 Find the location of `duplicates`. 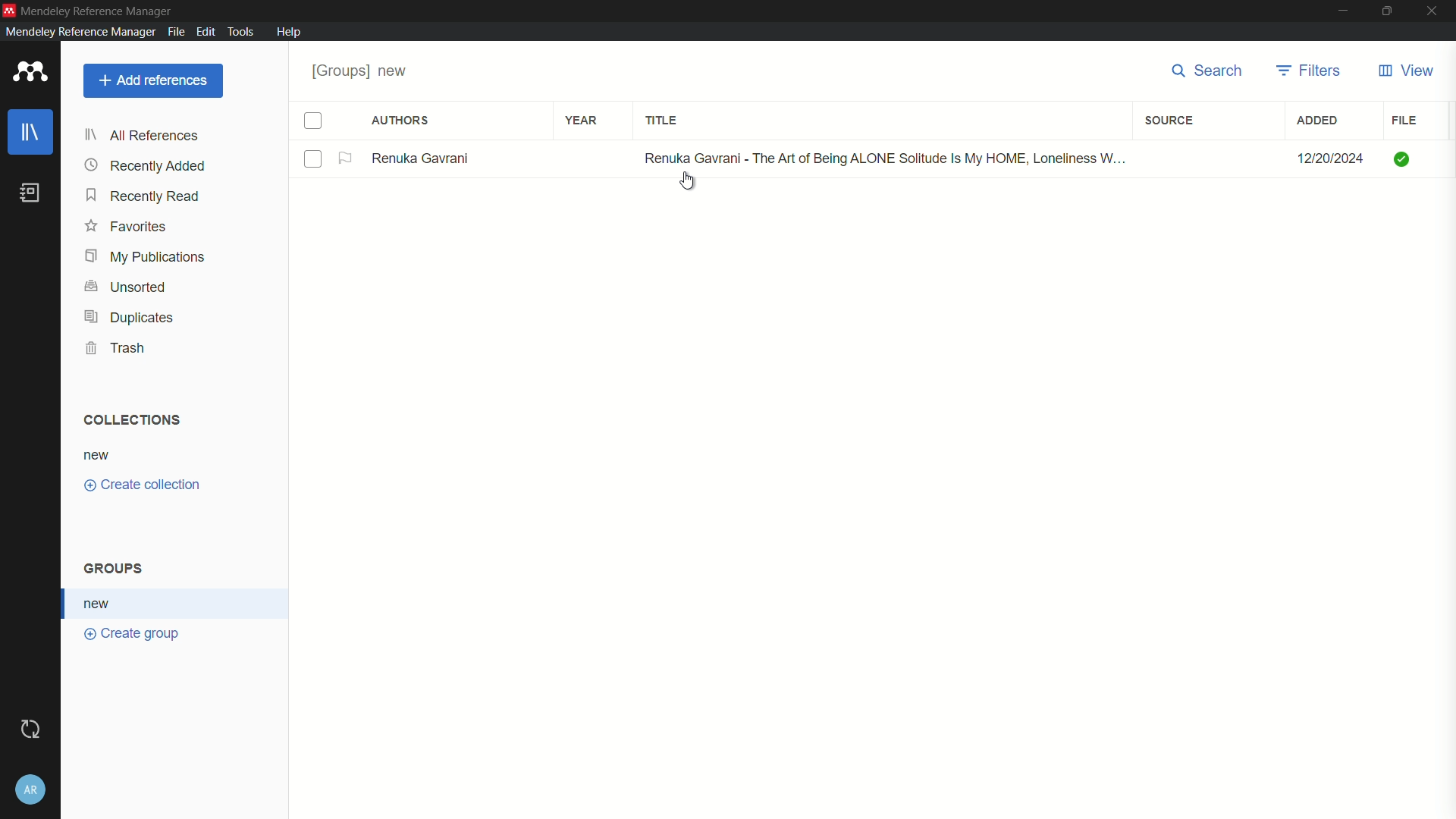

duplicates is located at coordinates (128, 318).